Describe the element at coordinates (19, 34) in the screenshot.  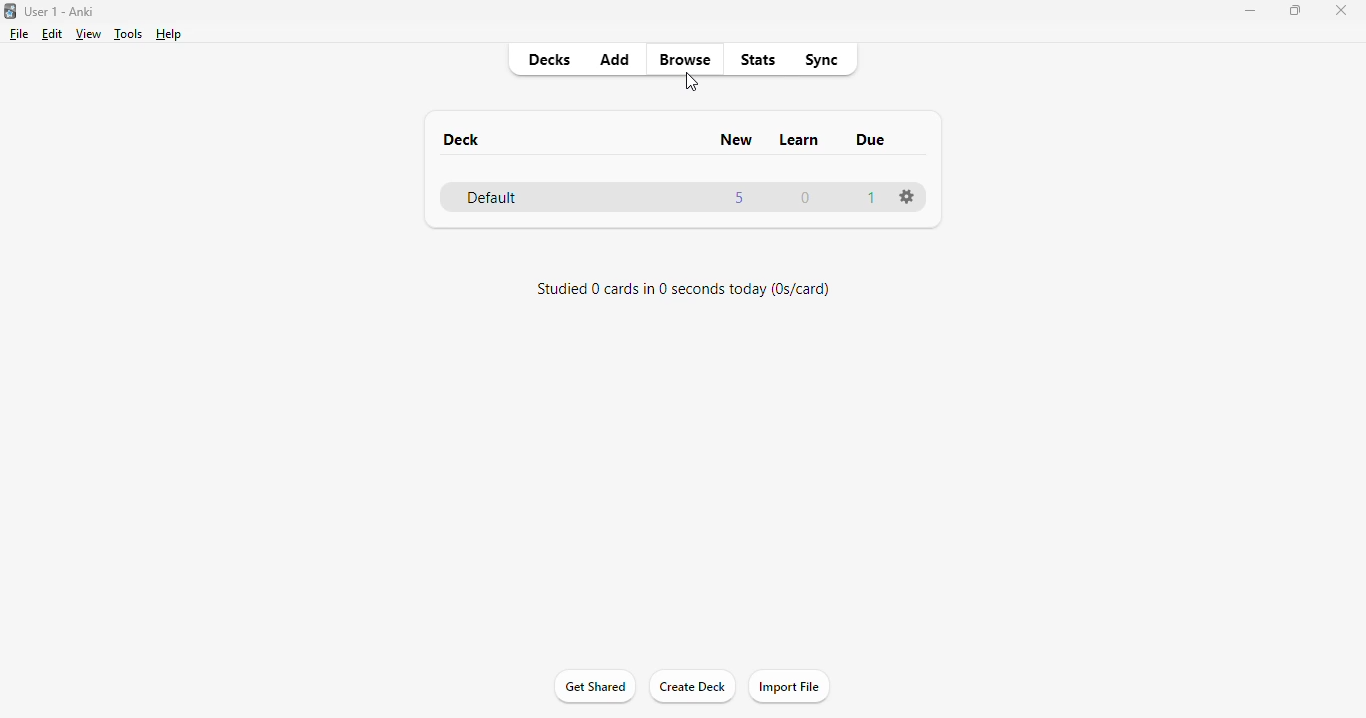
I see `file` at that location.